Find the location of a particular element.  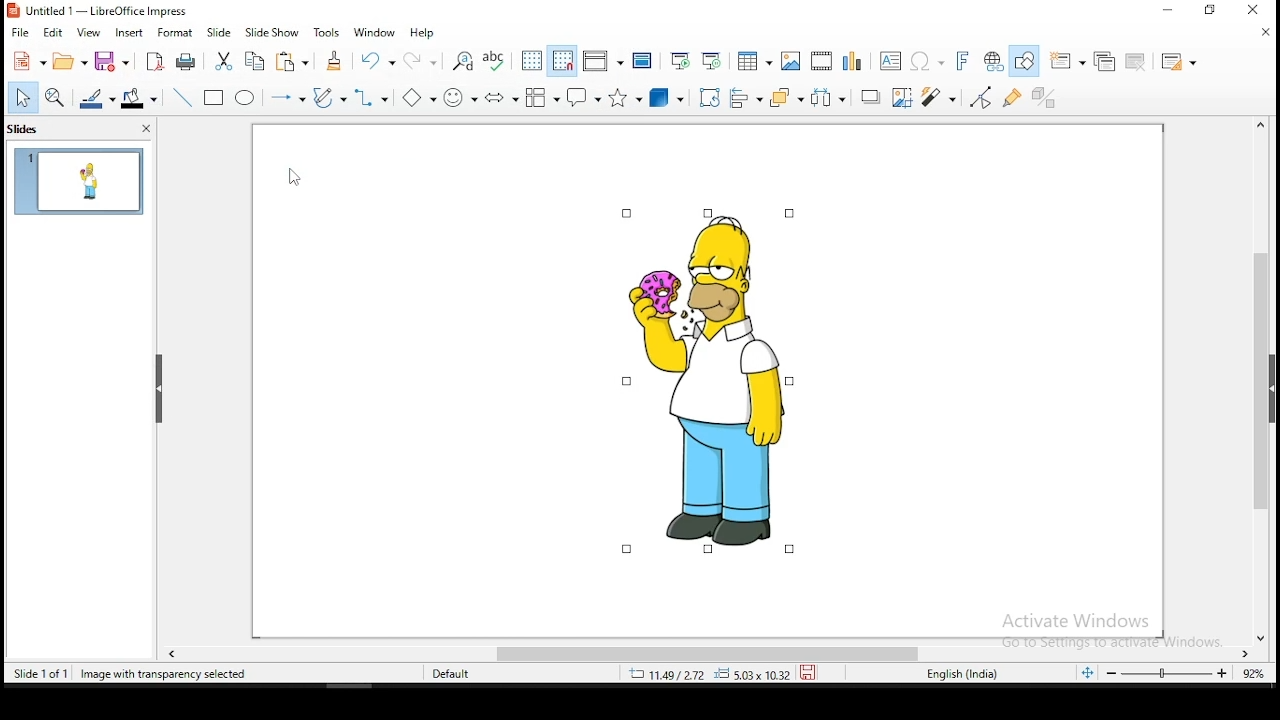

slide layout is located at coordinates (1183, 63).